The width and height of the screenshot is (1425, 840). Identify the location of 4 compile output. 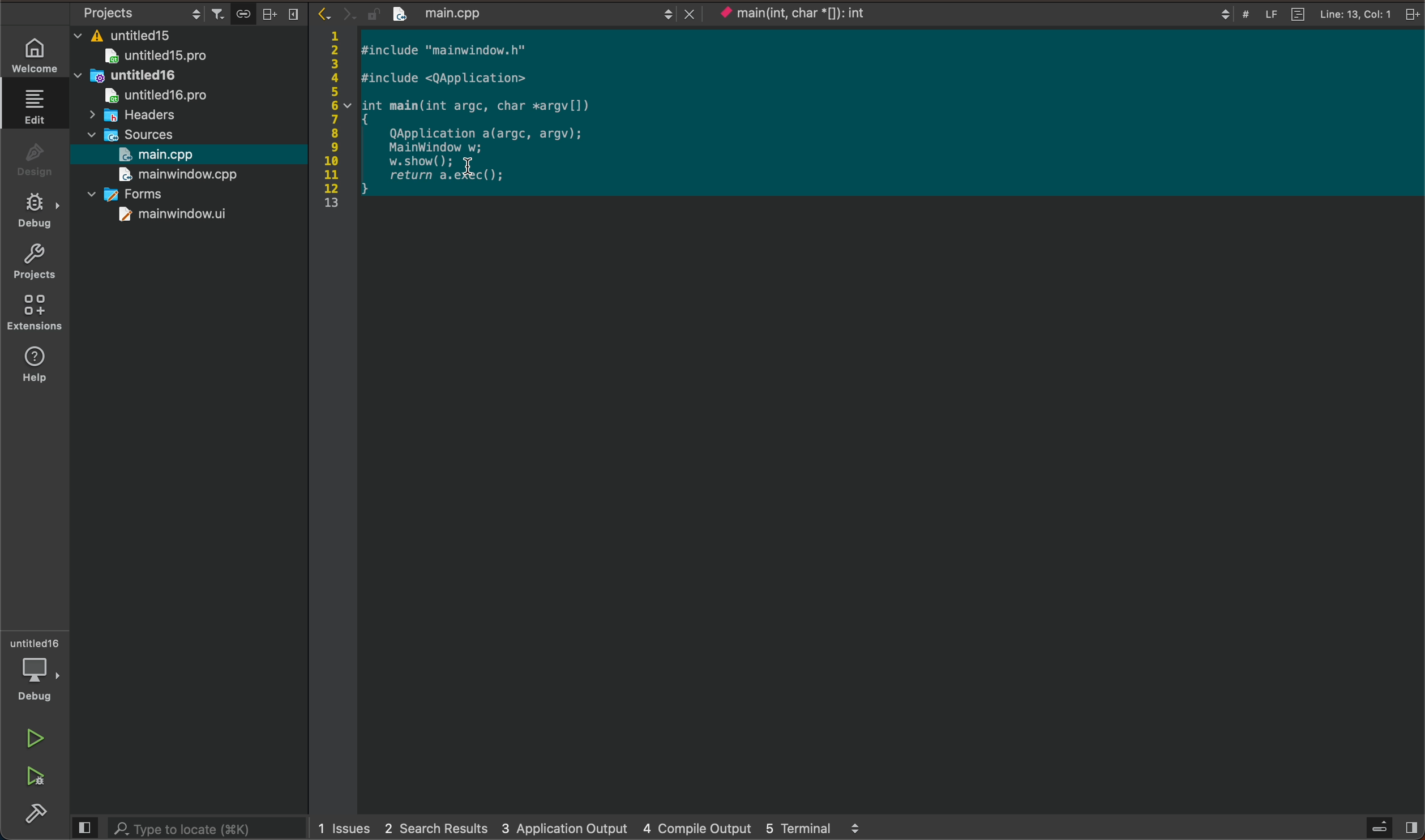
(700, 828).